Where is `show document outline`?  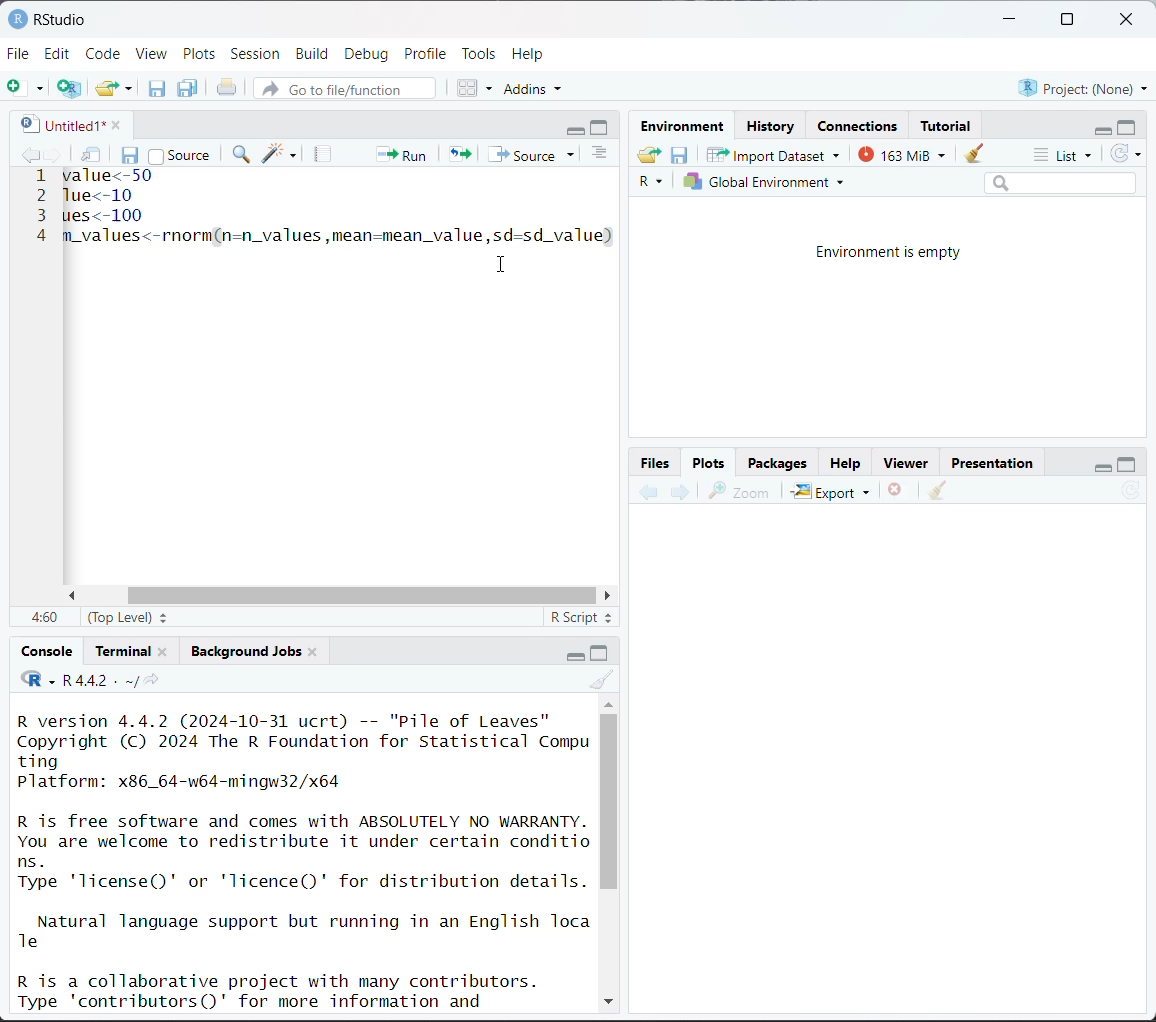 show document outline is located at coordinates (603, 155).